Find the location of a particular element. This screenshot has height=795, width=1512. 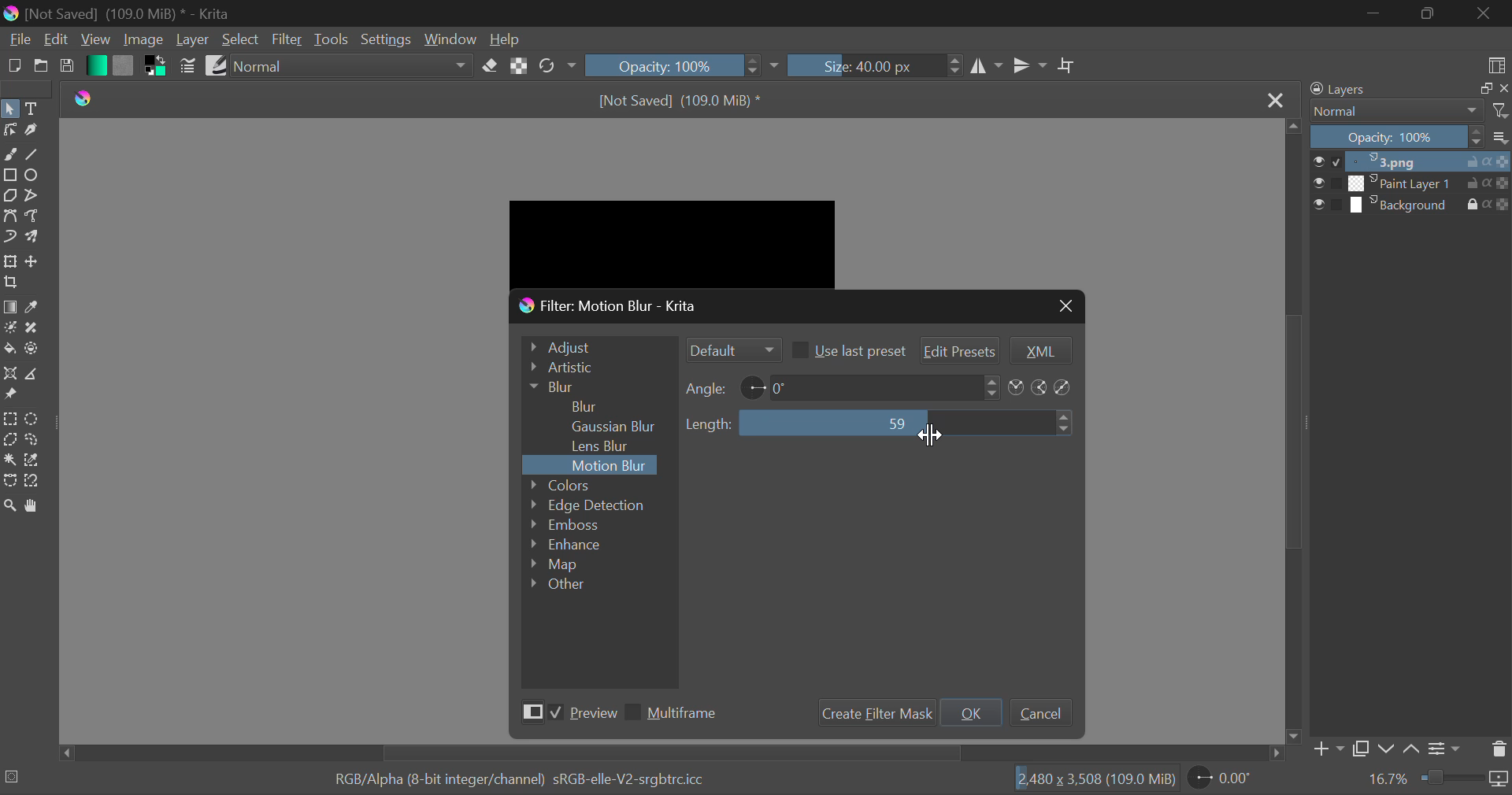

Reference Images is located at coordinates (10, 397).